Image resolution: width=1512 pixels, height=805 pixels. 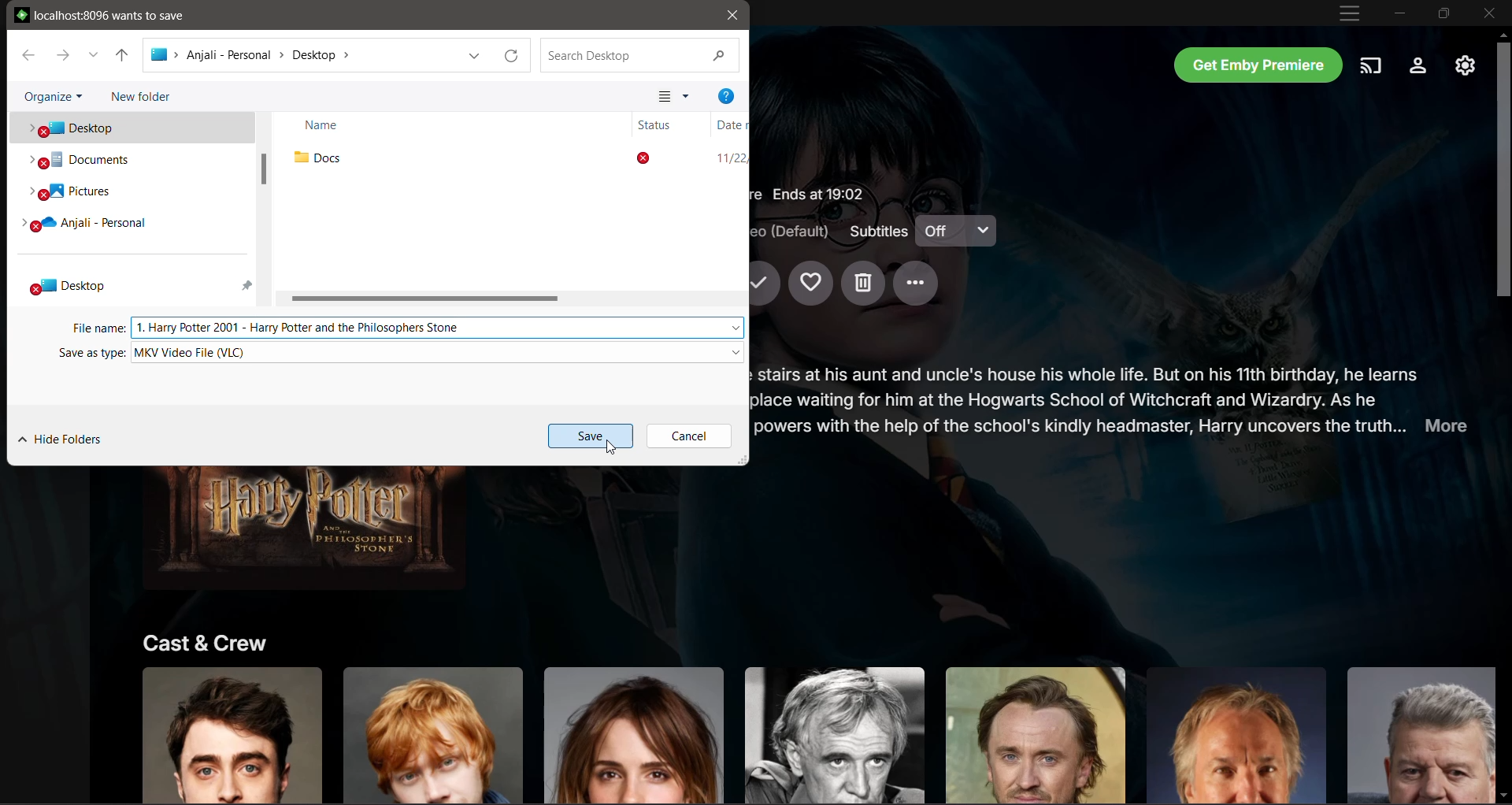 What do you see at coordinates (91, 328) in the screenshot?
I see `File Name` at bounding box center [91, 328].